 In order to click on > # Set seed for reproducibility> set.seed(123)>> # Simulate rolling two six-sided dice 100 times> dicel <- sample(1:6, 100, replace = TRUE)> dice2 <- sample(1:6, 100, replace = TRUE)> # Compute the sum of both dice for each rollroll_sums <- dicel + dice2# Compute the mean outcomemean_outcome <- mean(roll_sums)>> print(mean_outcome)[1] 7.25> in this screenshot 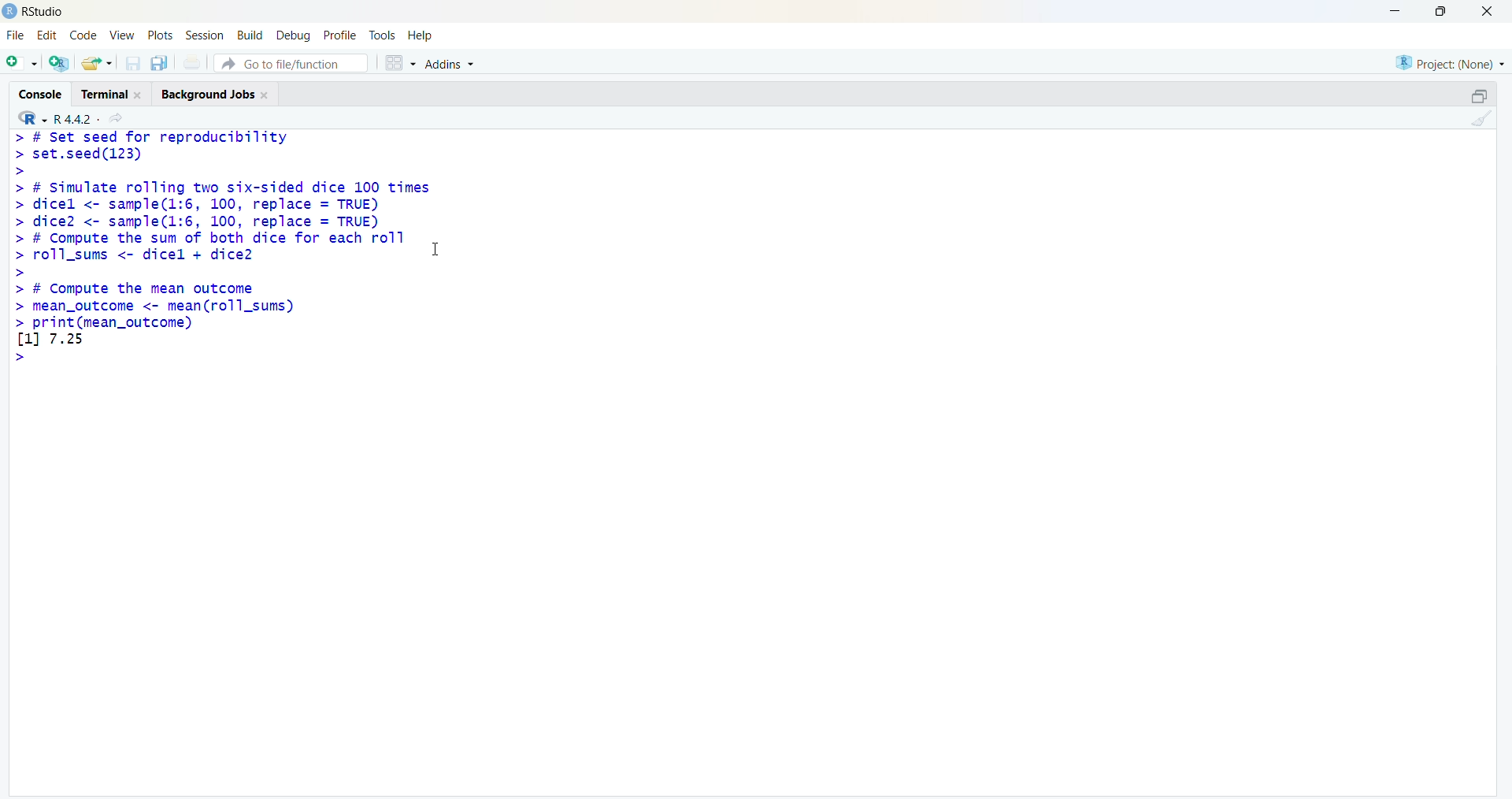, I will do `click(220, 247)`.